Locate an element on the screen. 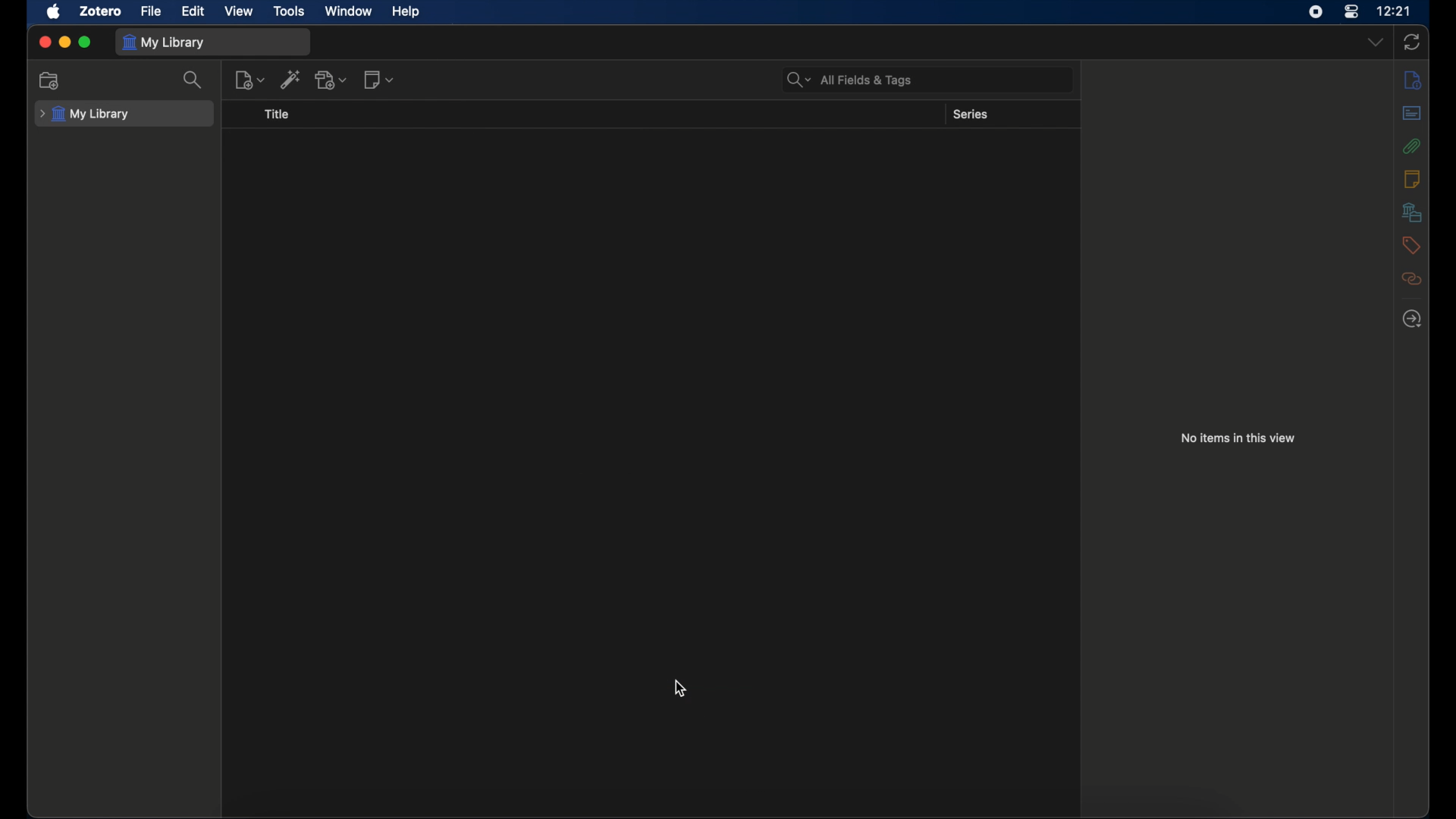  view is located at coordinates (240, 11).